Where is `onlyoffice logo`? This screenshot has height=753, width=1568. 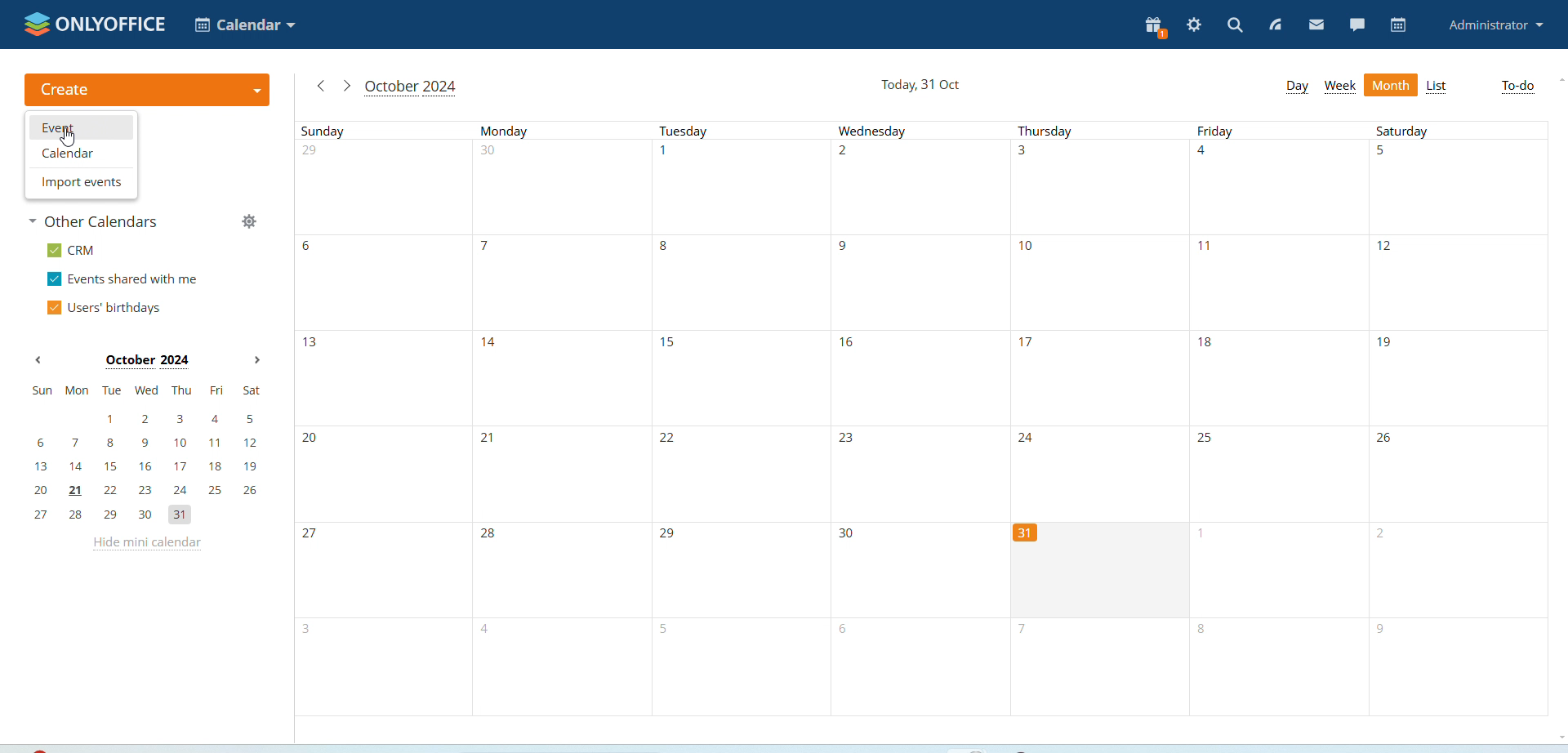 onlyoffice logo is located at coordinates (95, 24).